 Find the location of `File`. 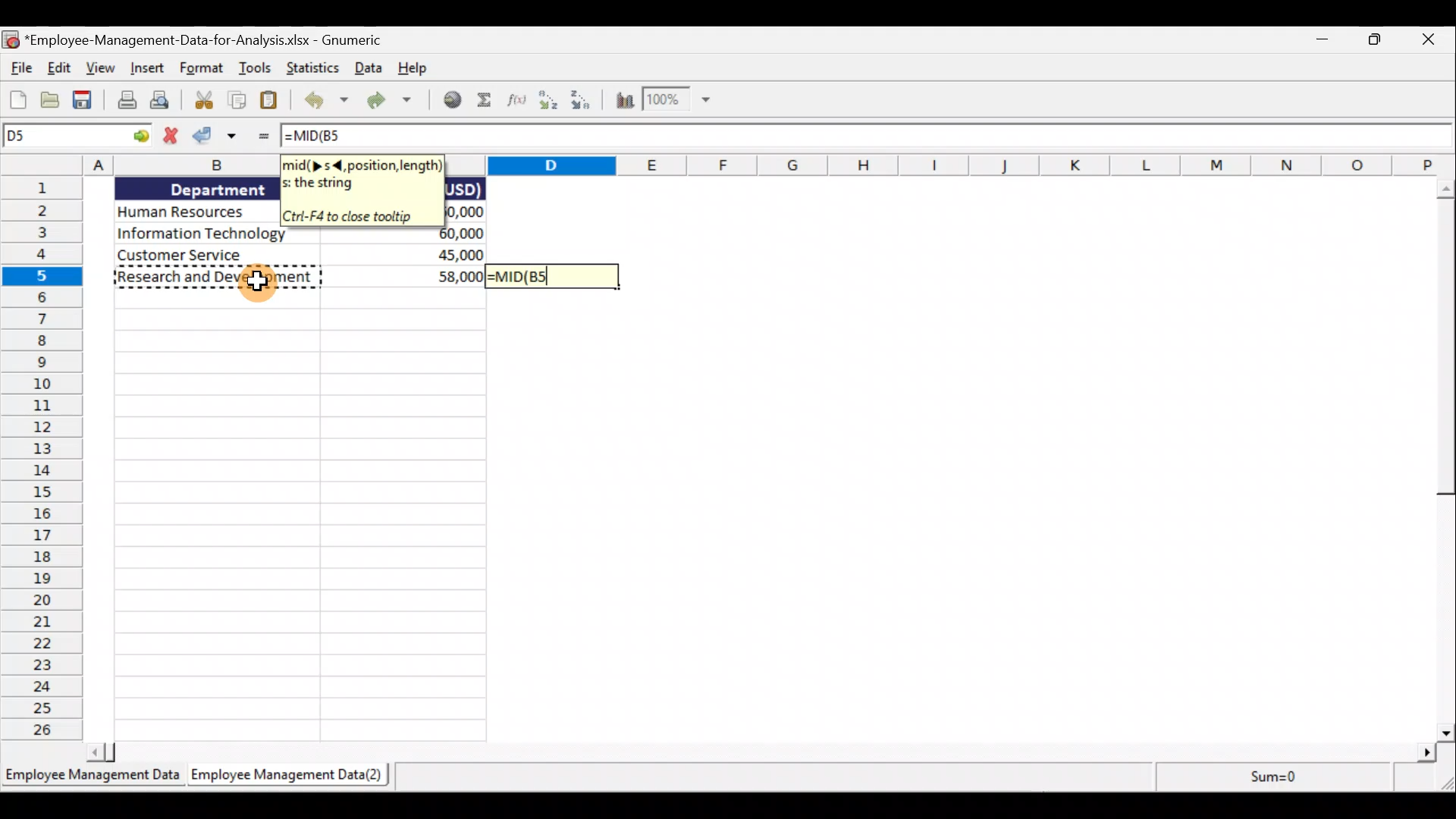

File is located at coordinates (19, 67).